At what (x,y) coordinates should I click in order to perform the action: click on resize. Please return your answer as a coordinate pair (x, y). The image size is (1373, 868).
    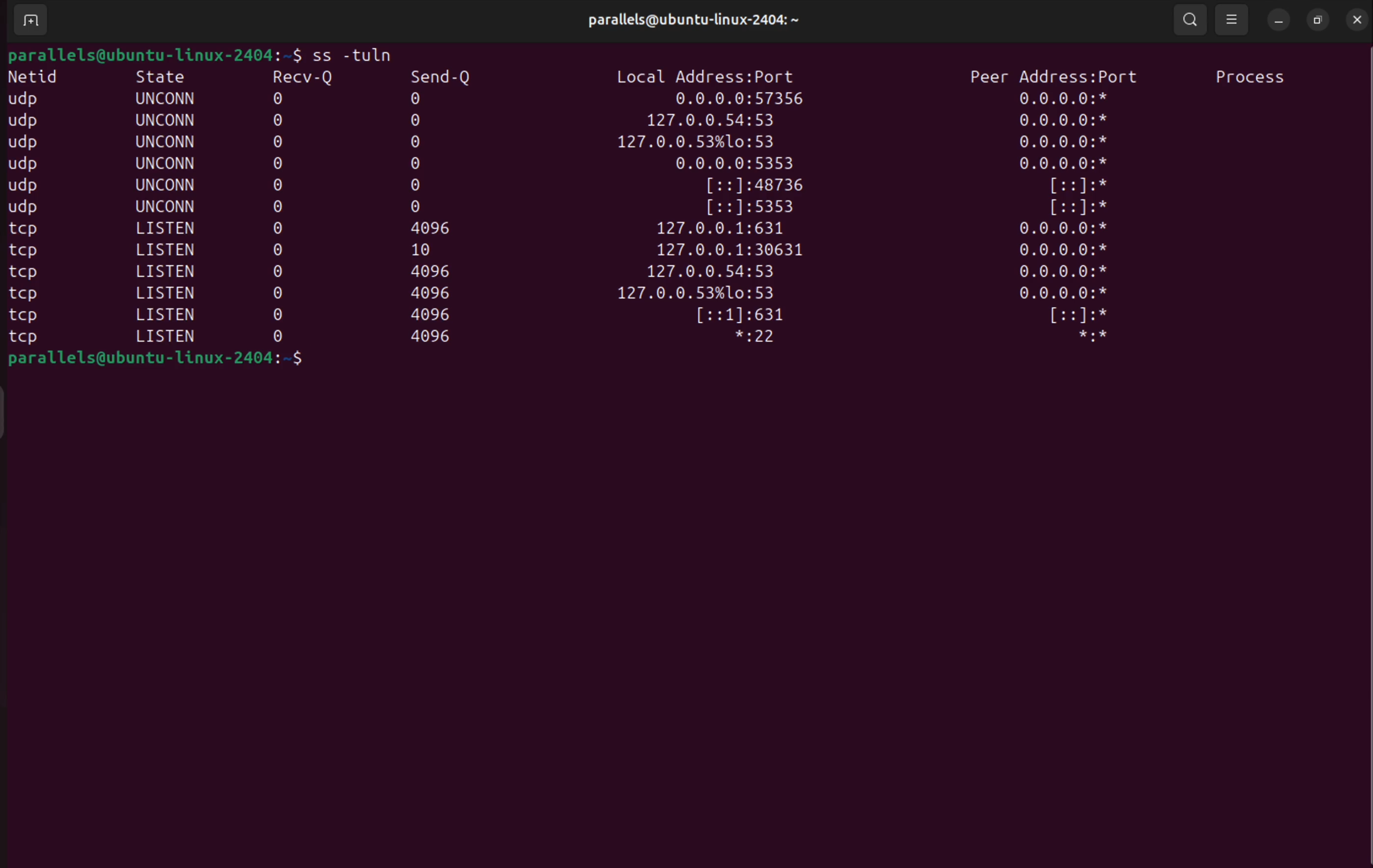
    Looking at the image, I should click on (1319, 20).